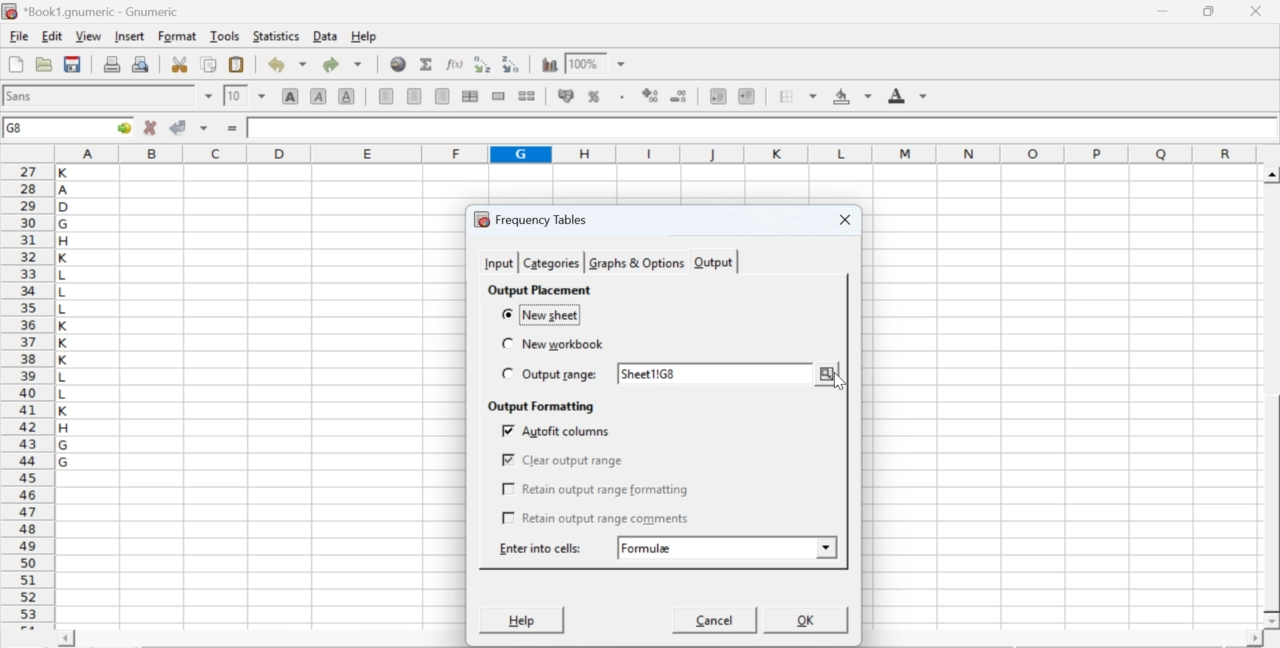 The image size is (1280, 648). Describe the element at coordinates (826, 545) in the screenshot. I see `drop down` at that location.